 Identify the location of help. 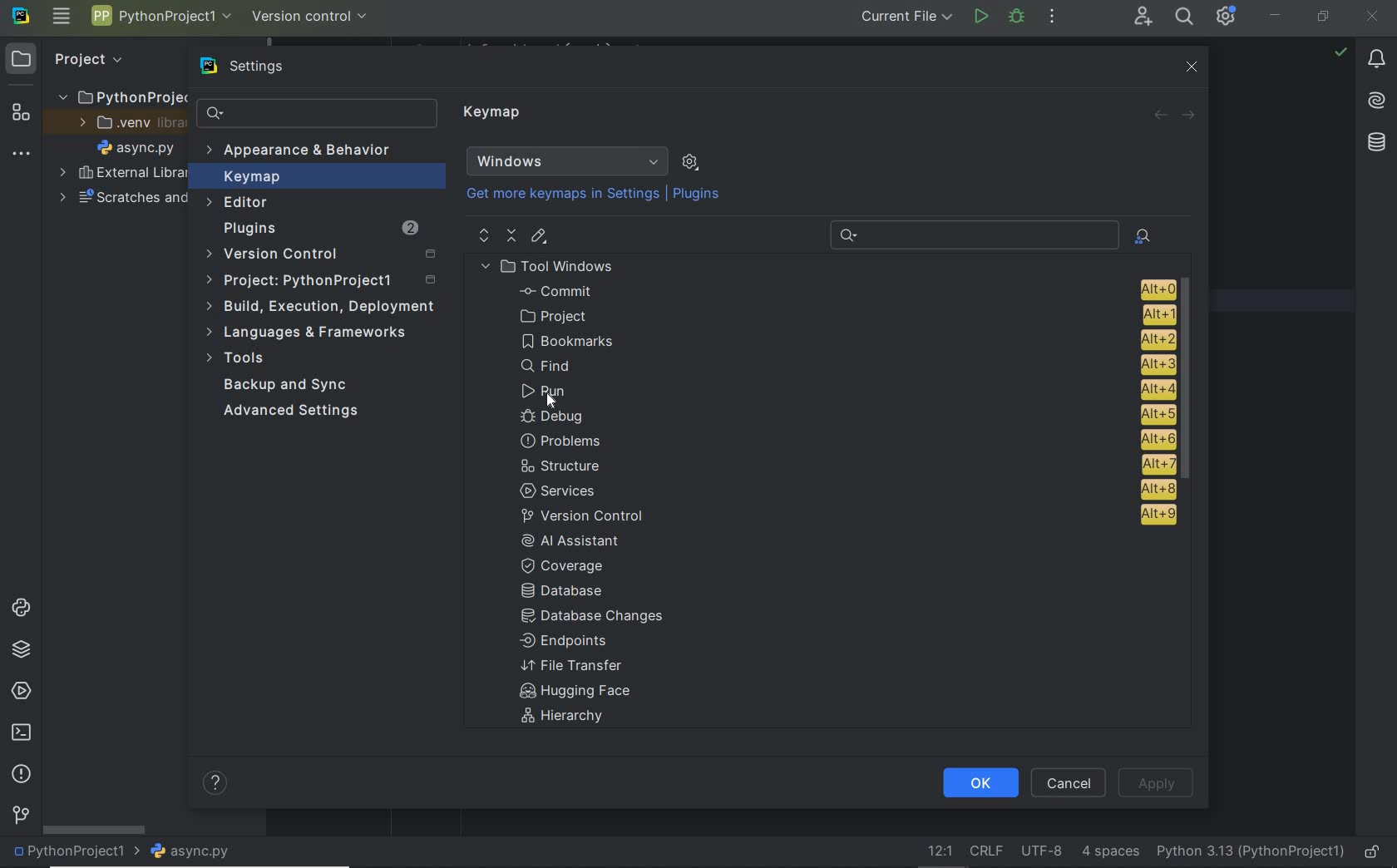
(217, 785).